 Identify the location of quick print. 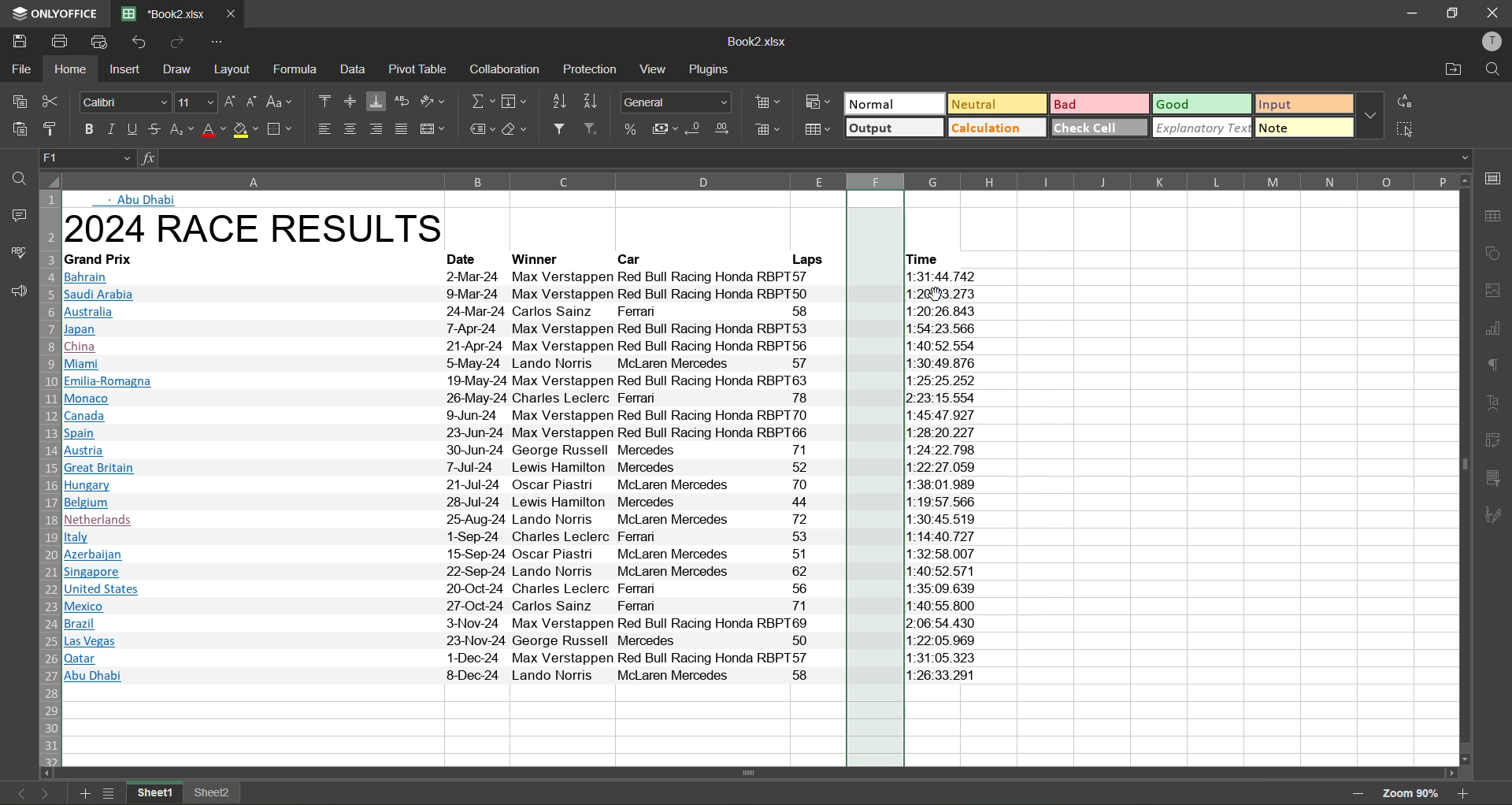
(102, 43).